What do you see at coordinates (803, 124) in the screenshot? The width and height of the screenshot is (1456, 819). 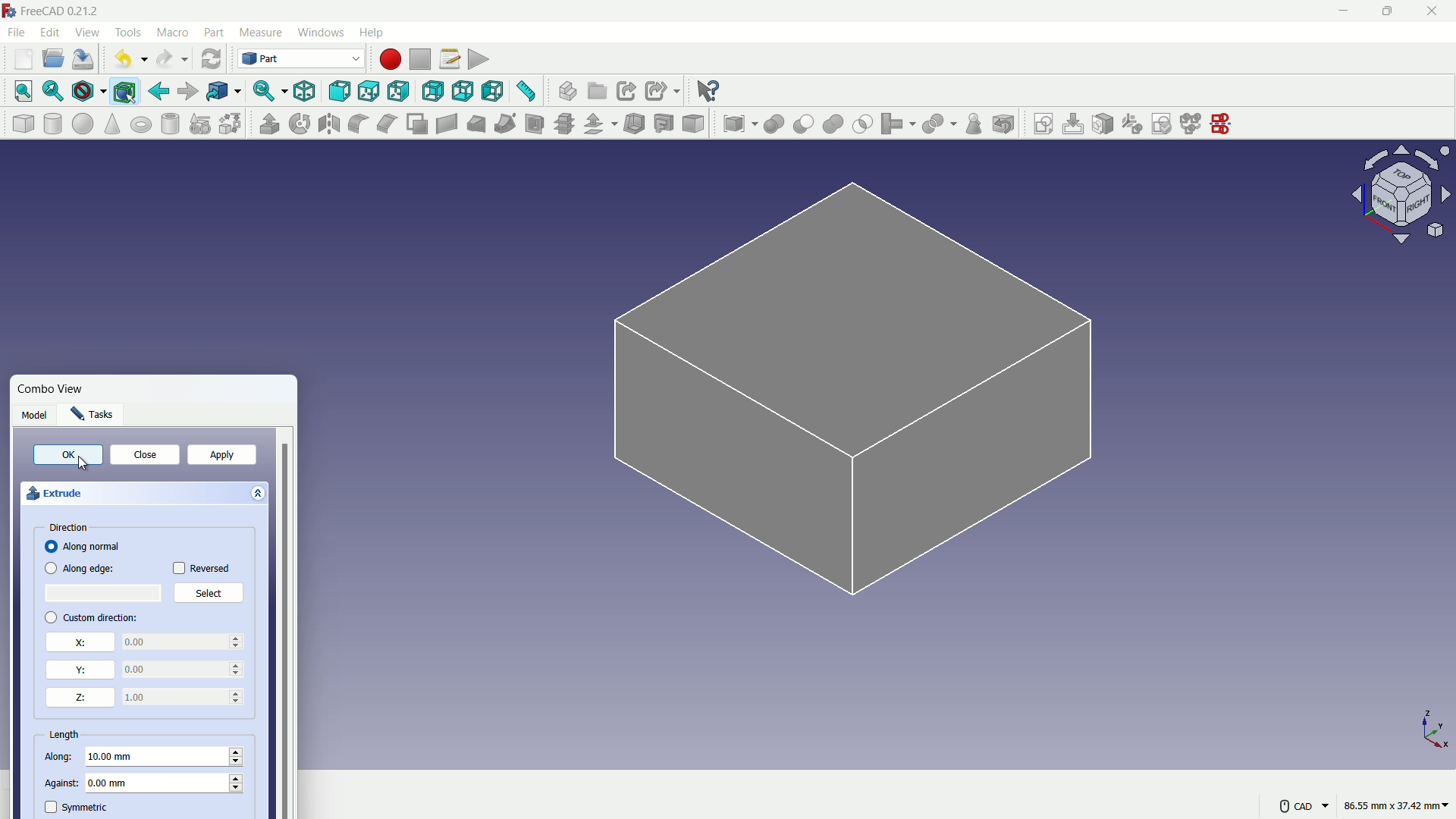 I see `cut` at bounding box center [803, 124].